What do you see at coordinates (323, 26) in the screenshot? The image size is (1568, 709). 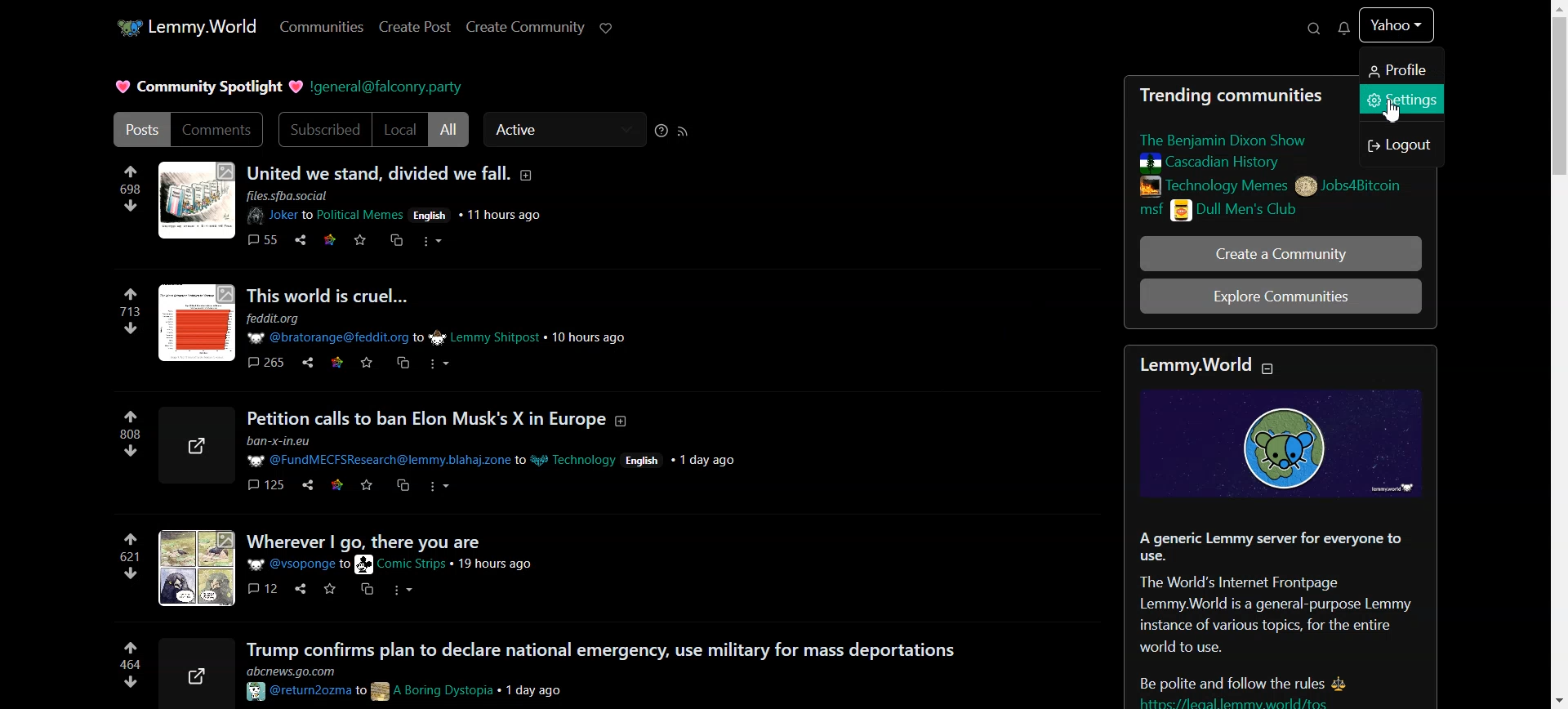 I see `Communities` at bounding box center [323, 26].